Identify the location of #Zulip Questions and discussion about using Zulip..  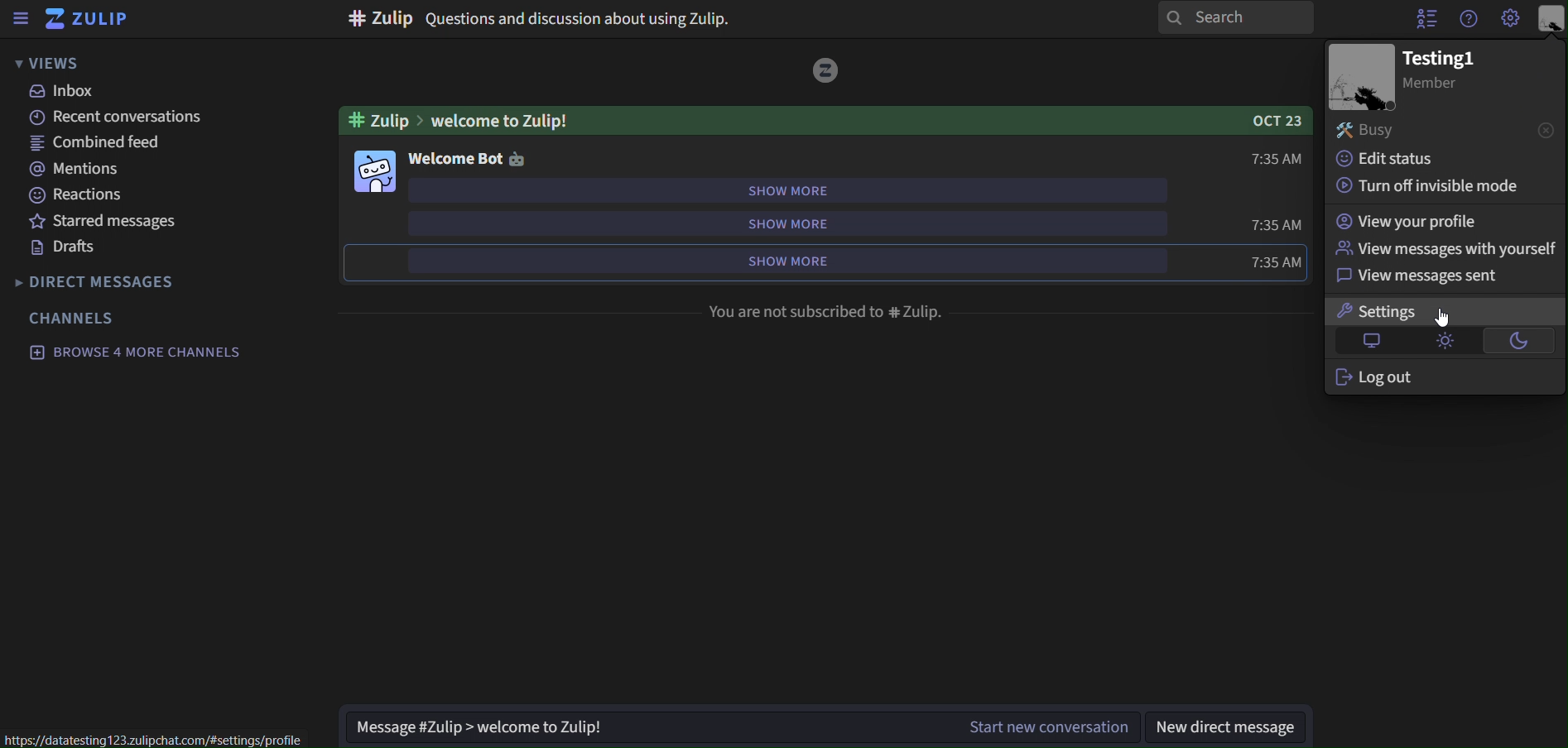
(544, 17).